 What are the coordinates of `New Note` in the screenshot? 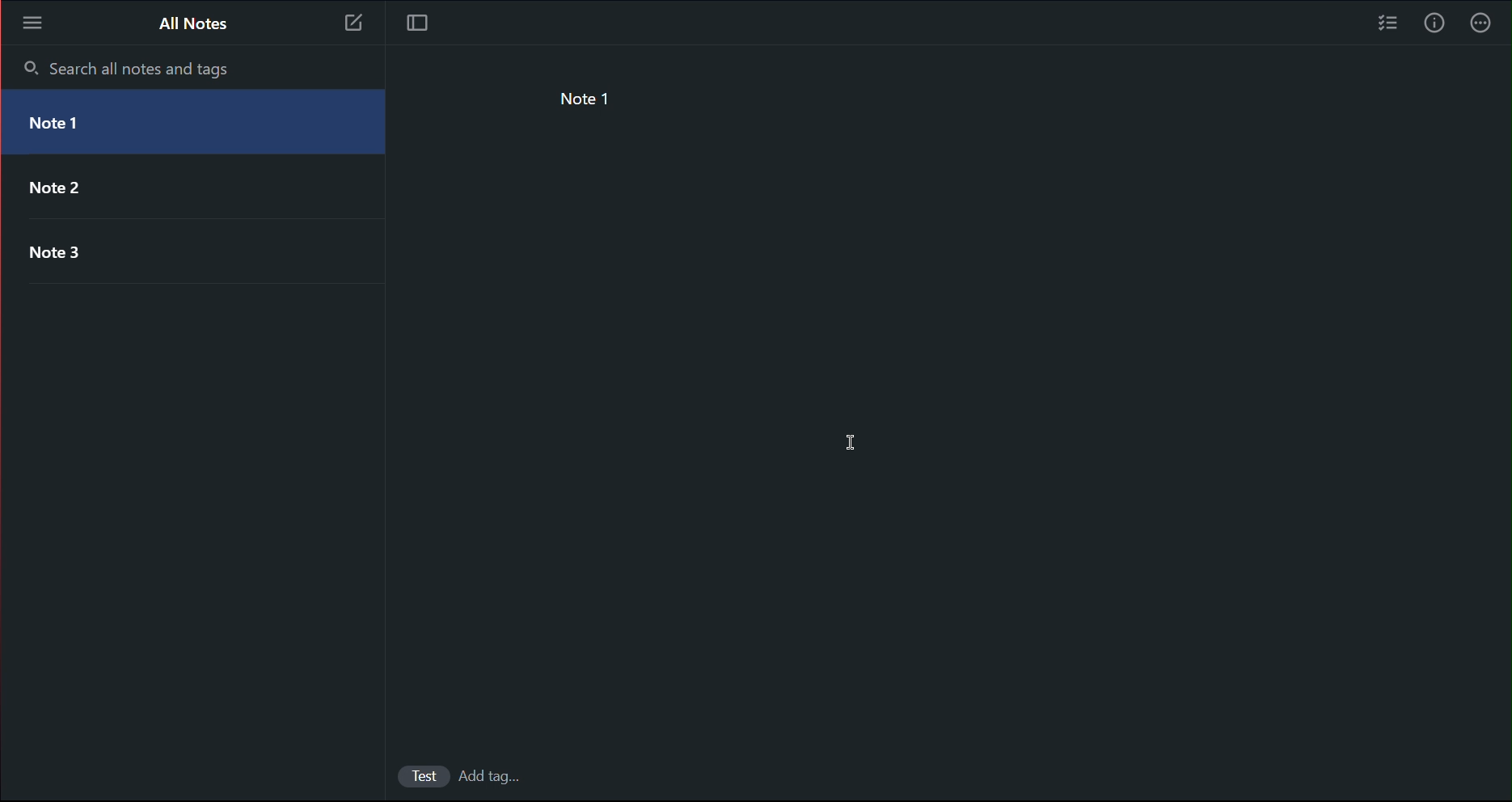 It's located at (349, 25).